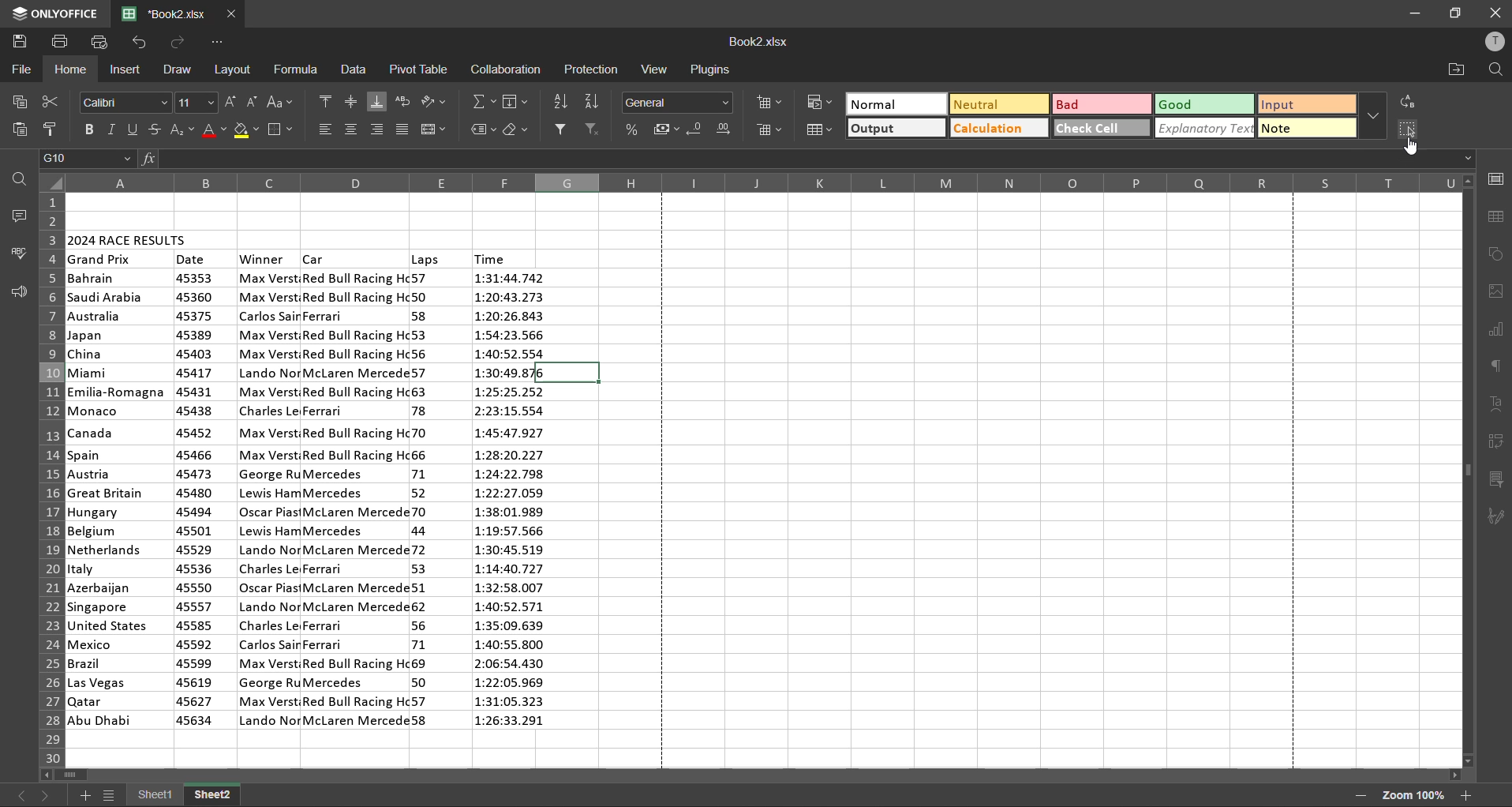 The height and width of the screenshot is (807, 1512). Describe the element at coordinates (430, 500) in the screenshot. I see `laps` at that location.